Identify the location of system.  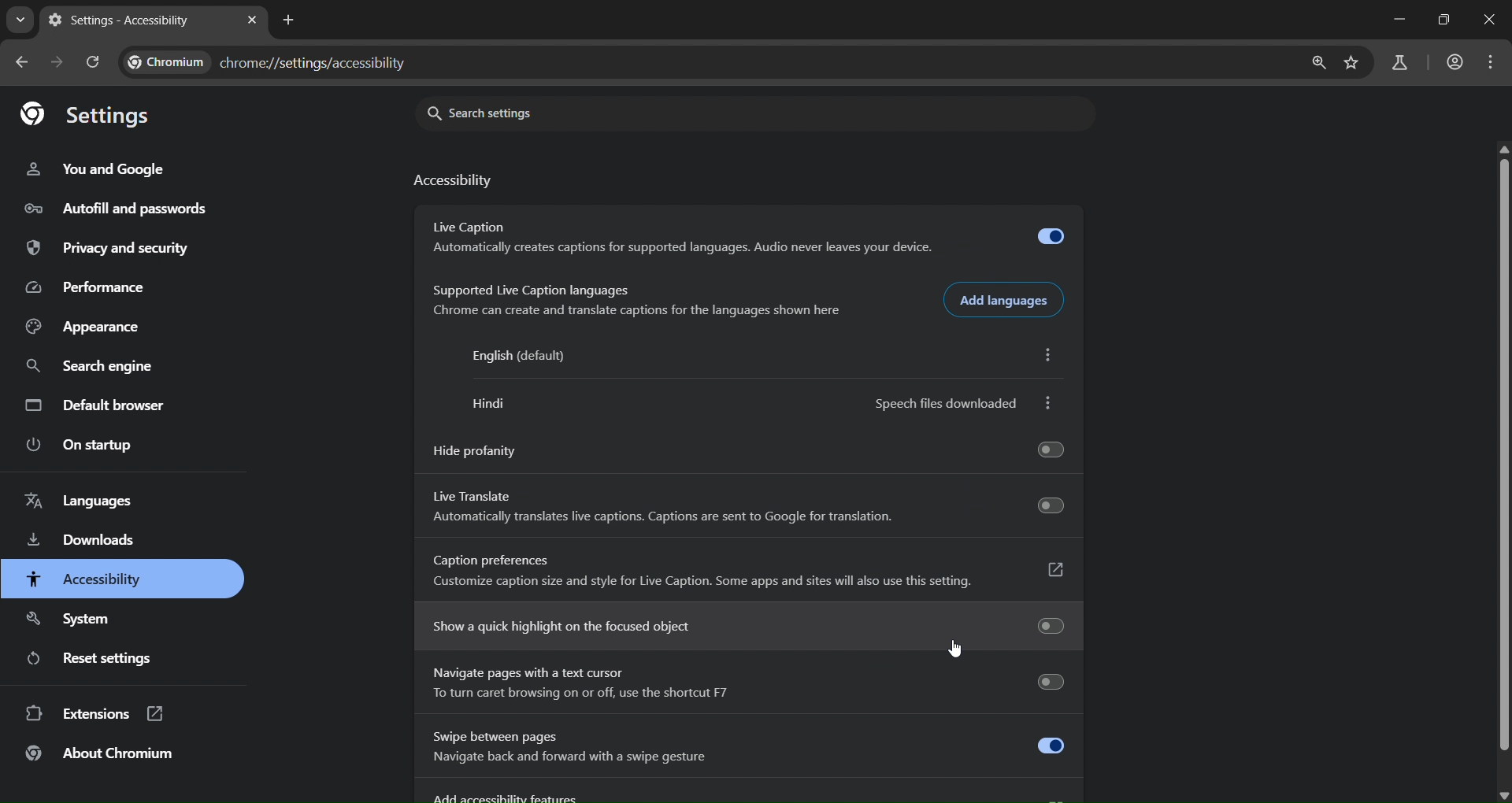
(72, 620).